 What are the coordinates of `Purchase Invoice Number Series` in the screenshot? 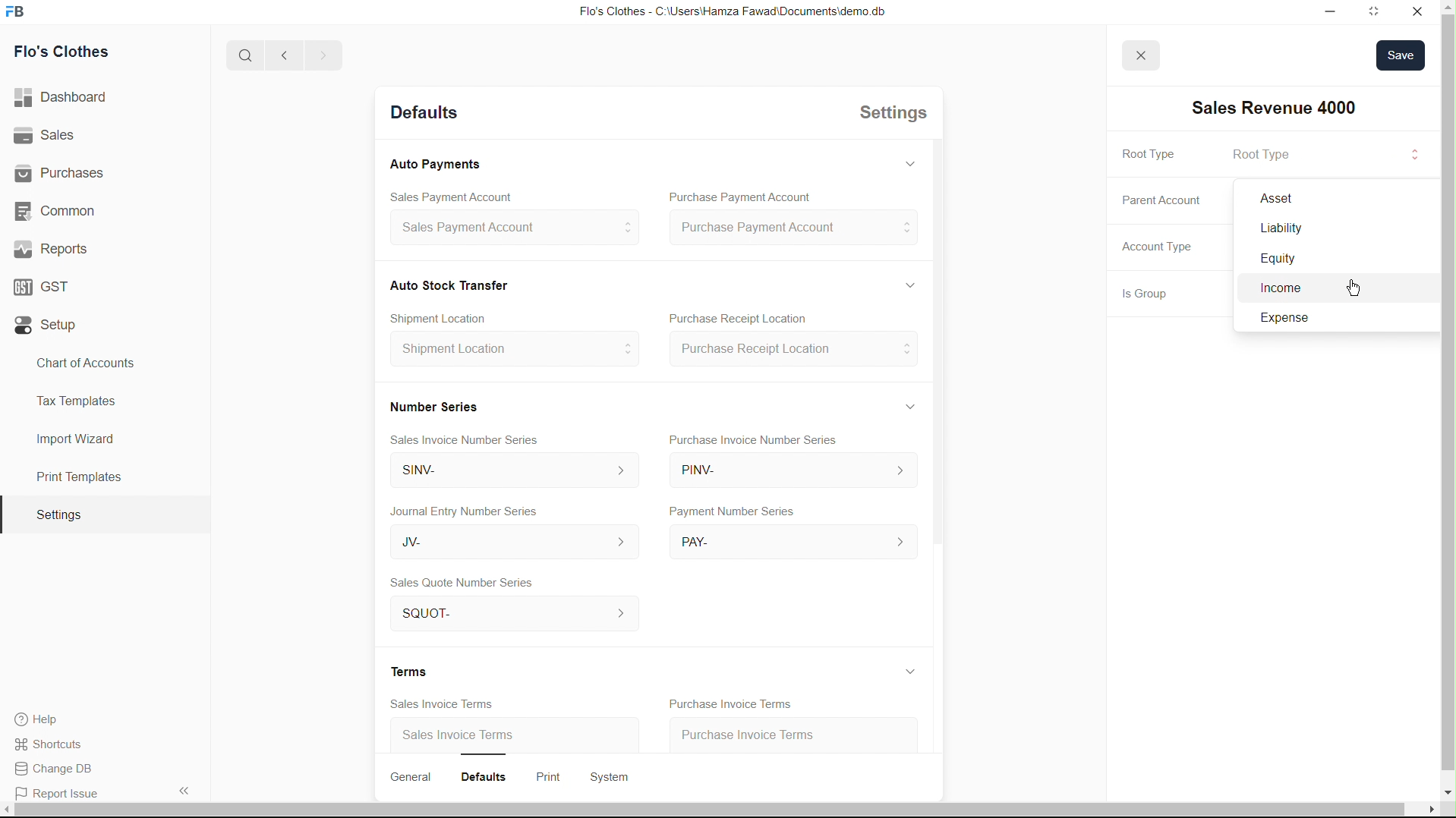 It's located at (766, 442).